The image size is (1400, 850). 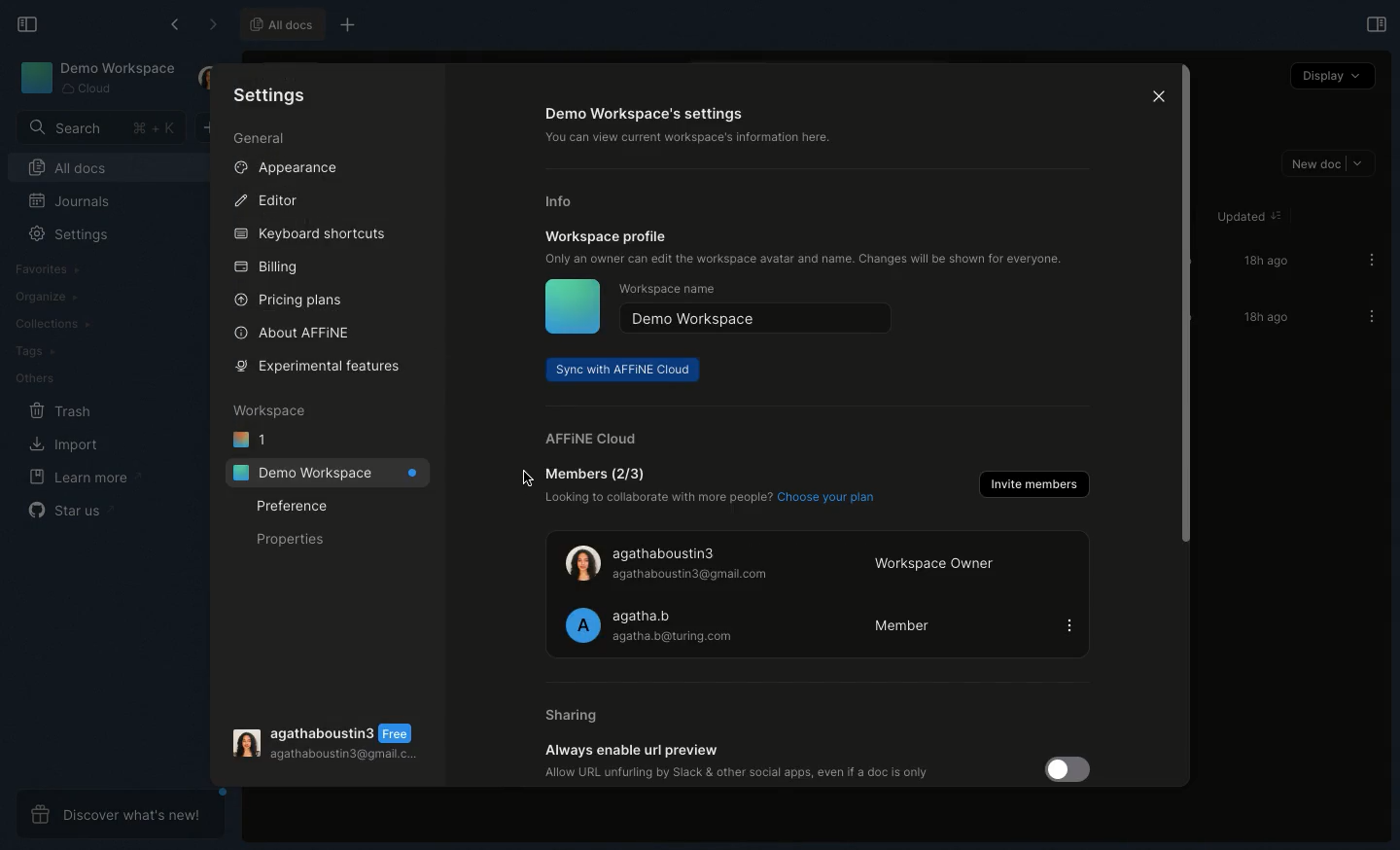 I want to click on Demo workspace, so click(x=94, y=77).